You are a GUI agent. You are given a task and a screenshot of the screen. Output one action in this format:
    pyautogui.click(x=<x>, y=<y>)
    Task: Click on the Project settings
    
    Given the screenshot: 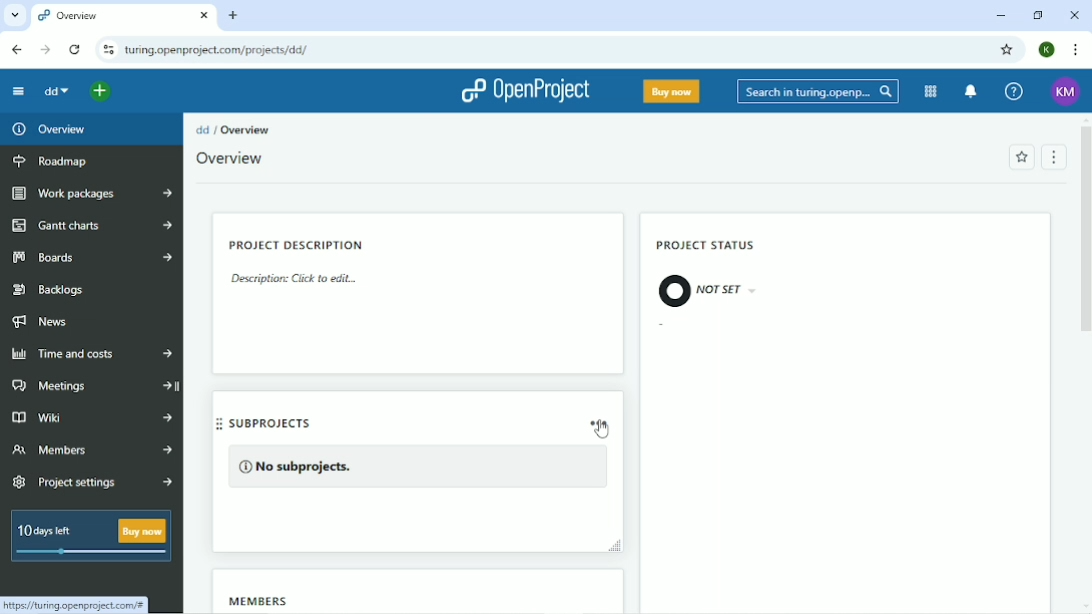 What is the action you would take?
    pyautogui.click(x=96, y=483)
    